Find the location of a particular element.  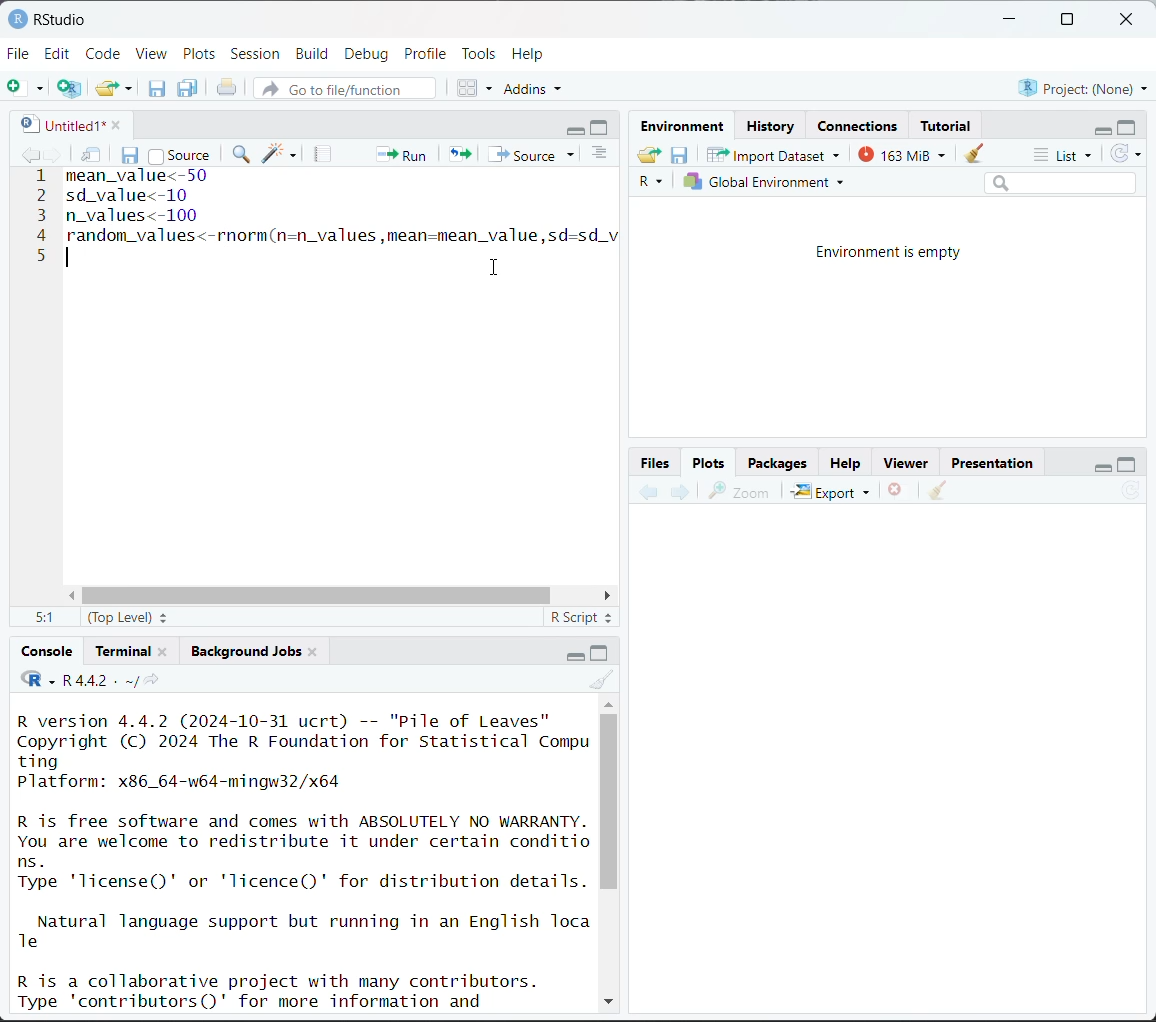

save current document is located at coordinates (131, 153).